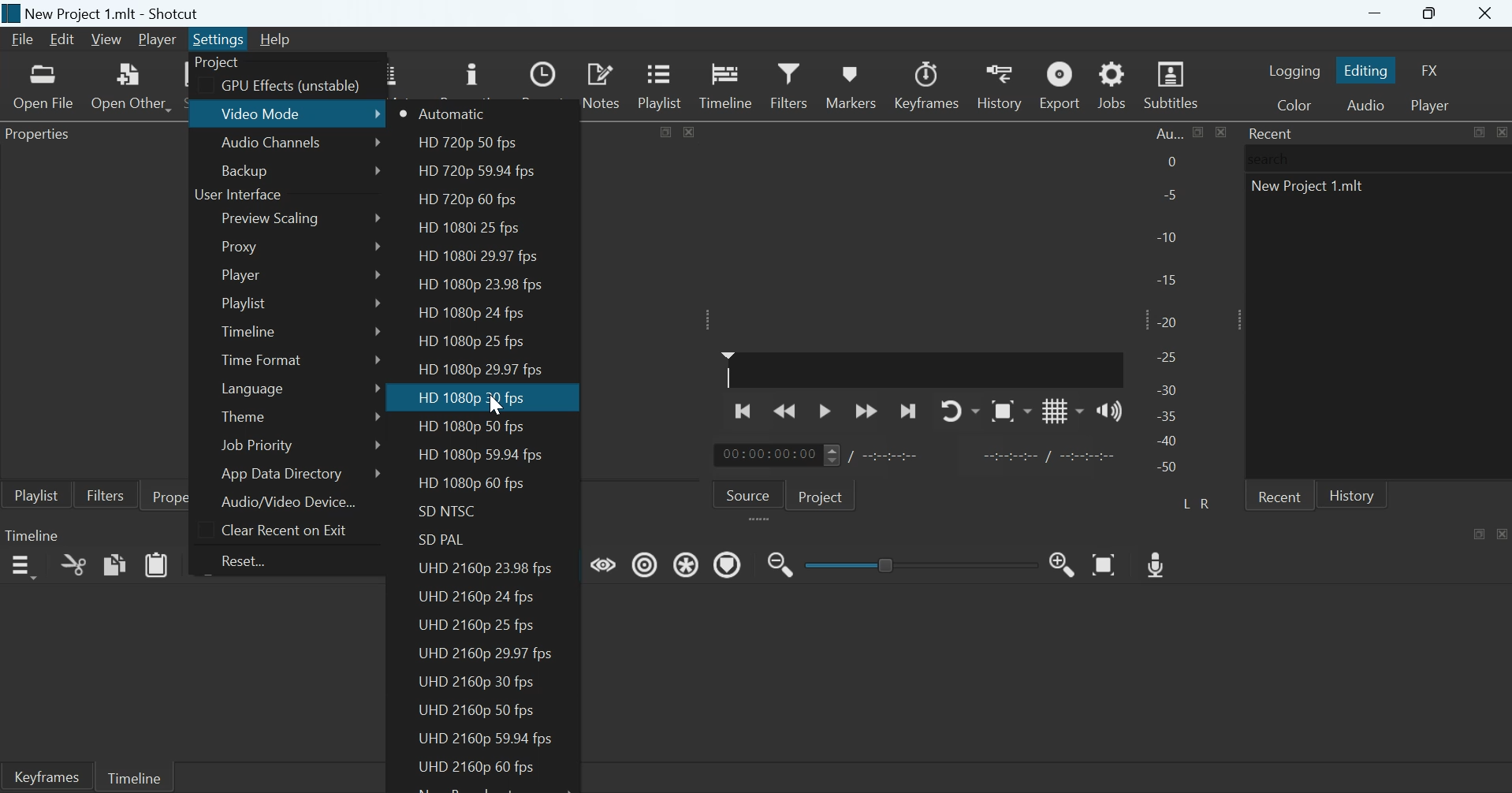 The image size is (1512, 793). I want to click on copy, so click(115, 564).